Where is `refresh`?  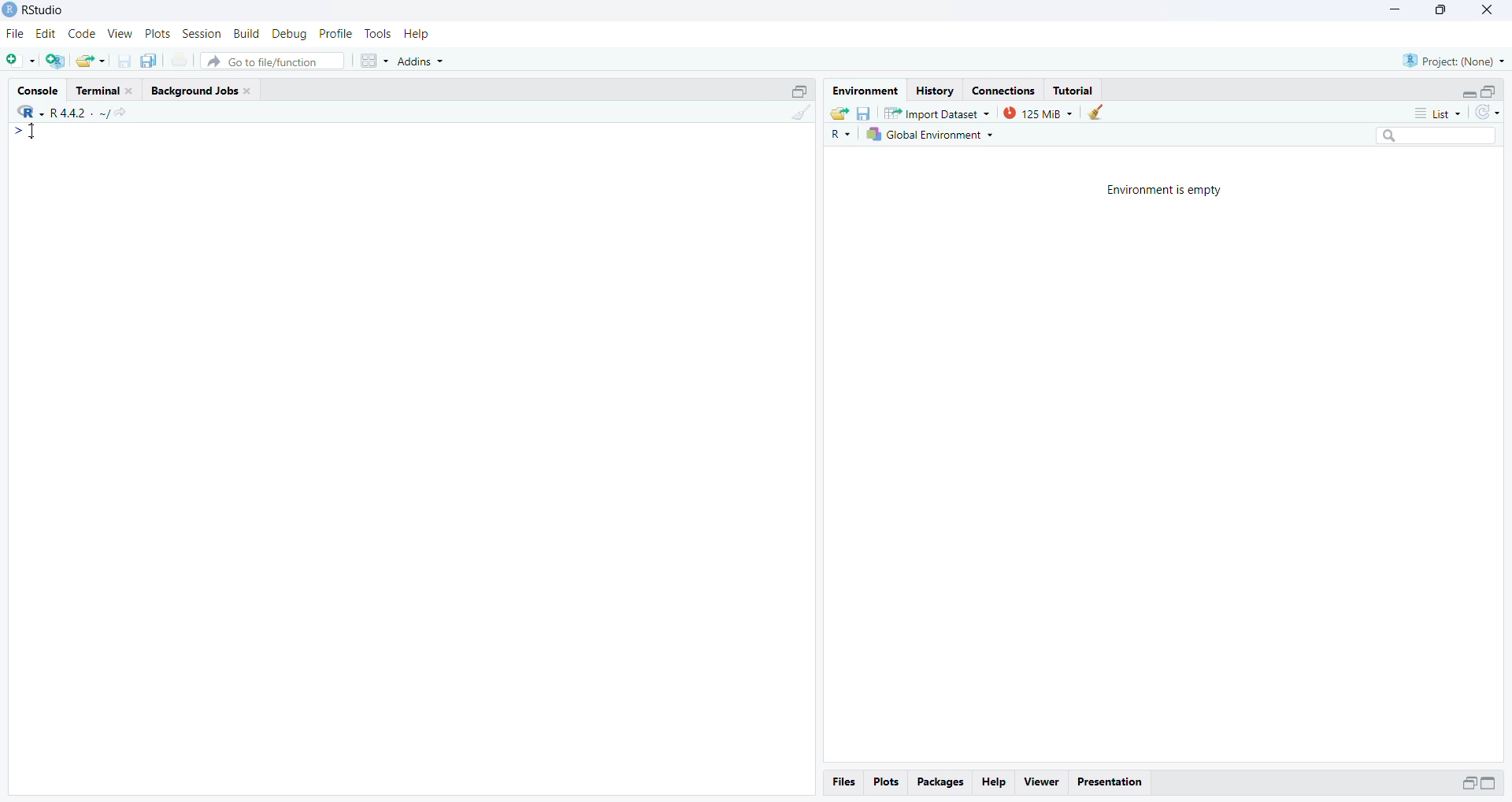 refresh is located at coordinates (1488, 113).